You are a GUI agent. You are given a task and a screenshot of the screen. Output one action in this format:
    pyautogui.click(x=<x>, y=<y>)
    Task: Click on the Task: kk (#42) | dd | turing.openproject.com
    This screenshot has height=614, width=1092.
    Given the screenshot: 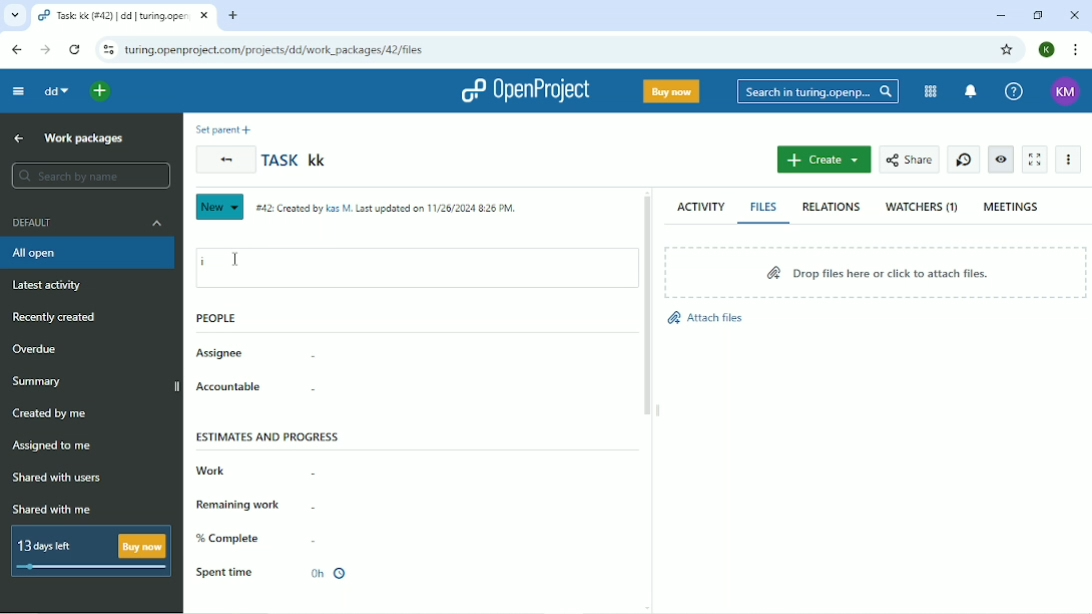 What is the action you would take?
    pyautogui.click(x=124, y=16)
    